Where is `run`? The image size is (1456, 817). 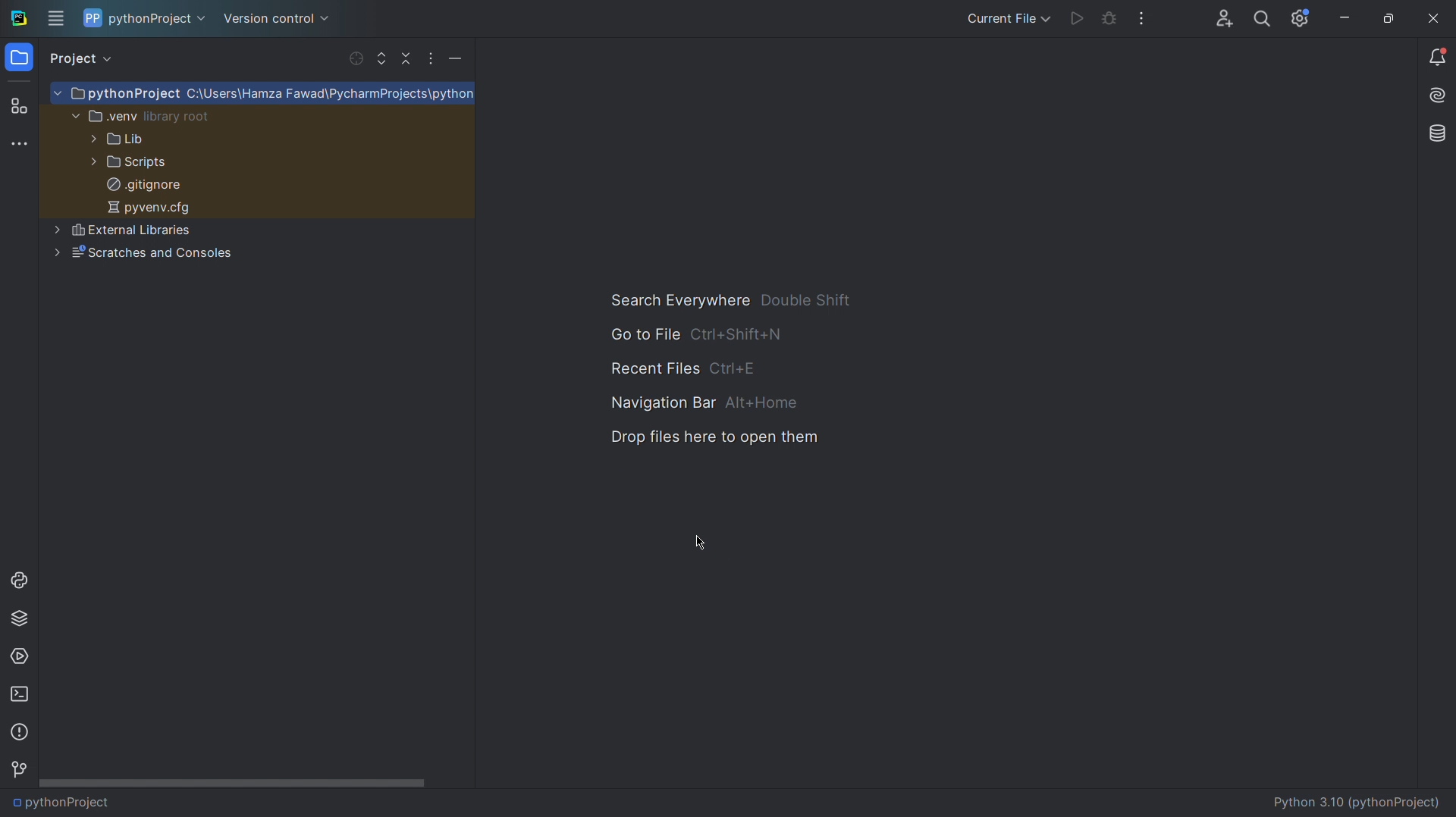 run is located at coordinates (1075, 20).